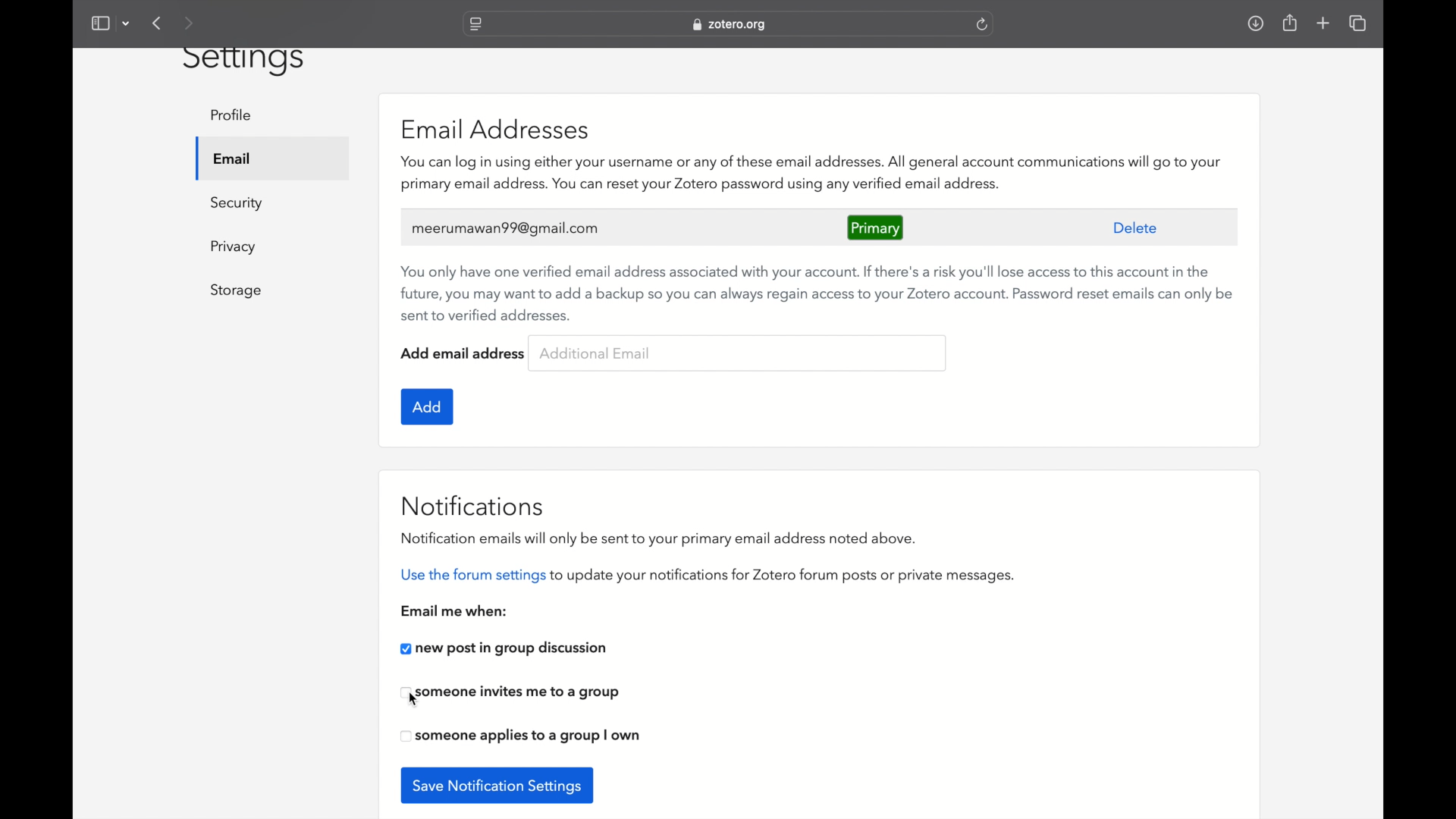  What do you see at coordinates (522, 736) in the screenshot?
I see `checkbox` at bounding box center [522, 736].